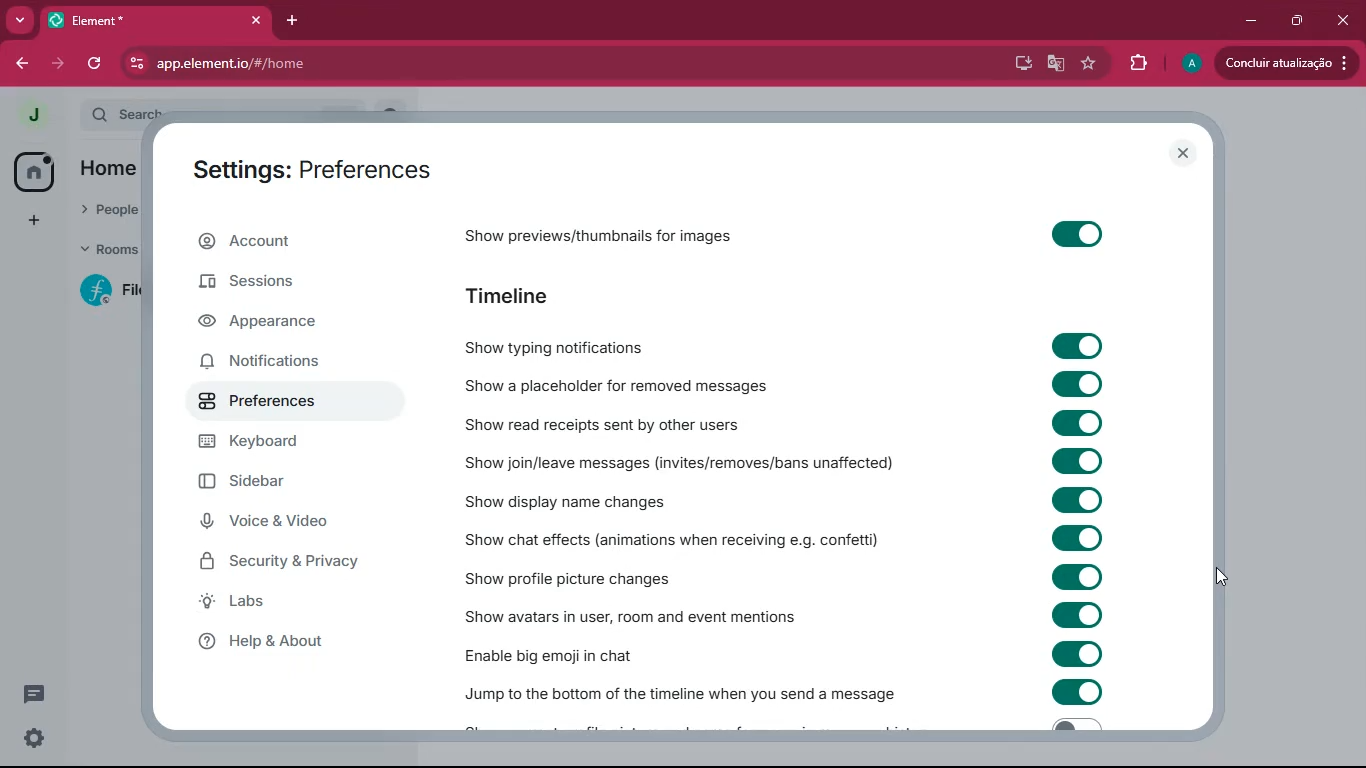 The image size is (1366, 768). I want to click on home, so click(111, 167).